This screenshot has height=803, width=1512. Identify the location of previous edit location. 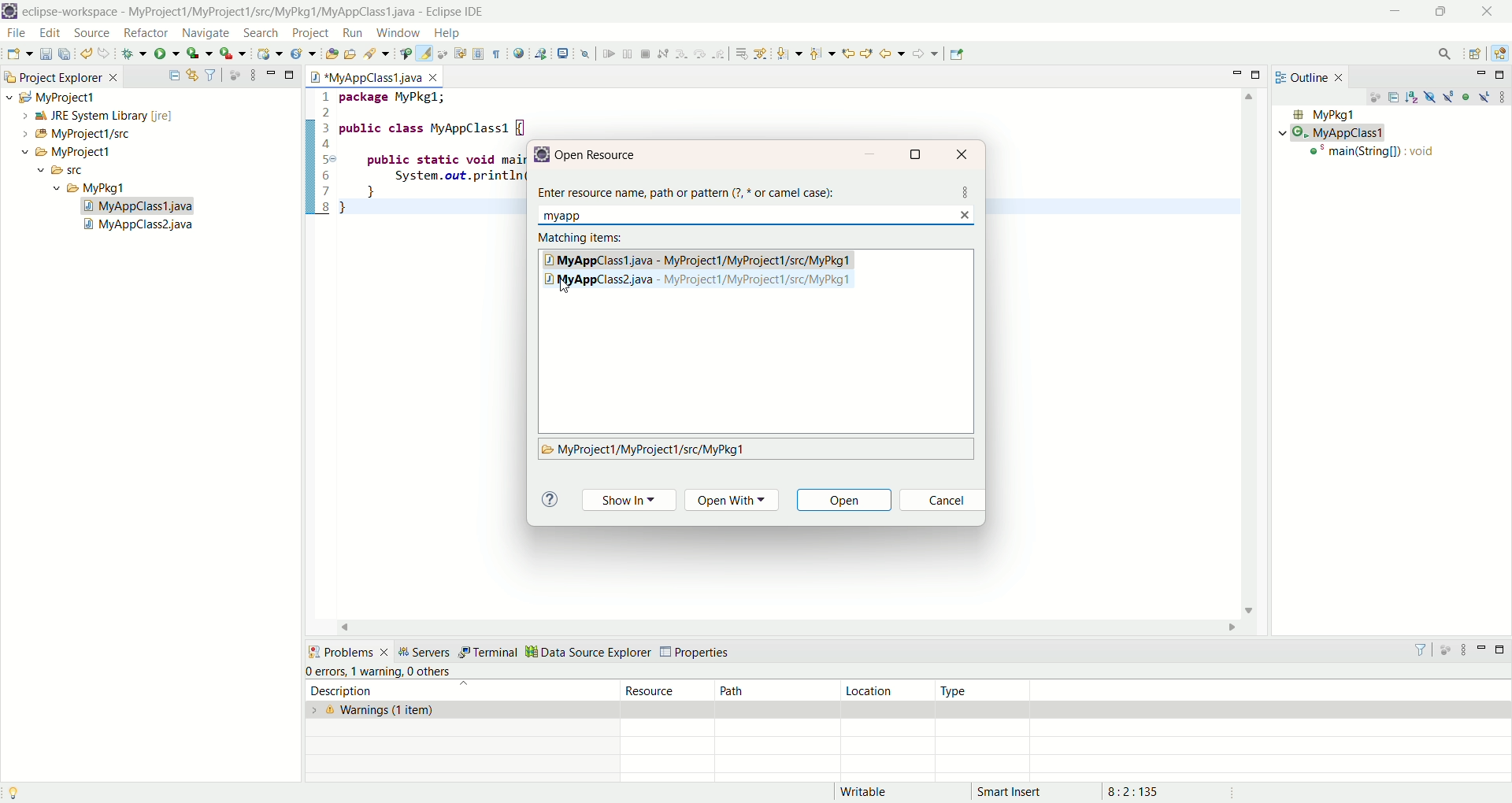
(847, 54).